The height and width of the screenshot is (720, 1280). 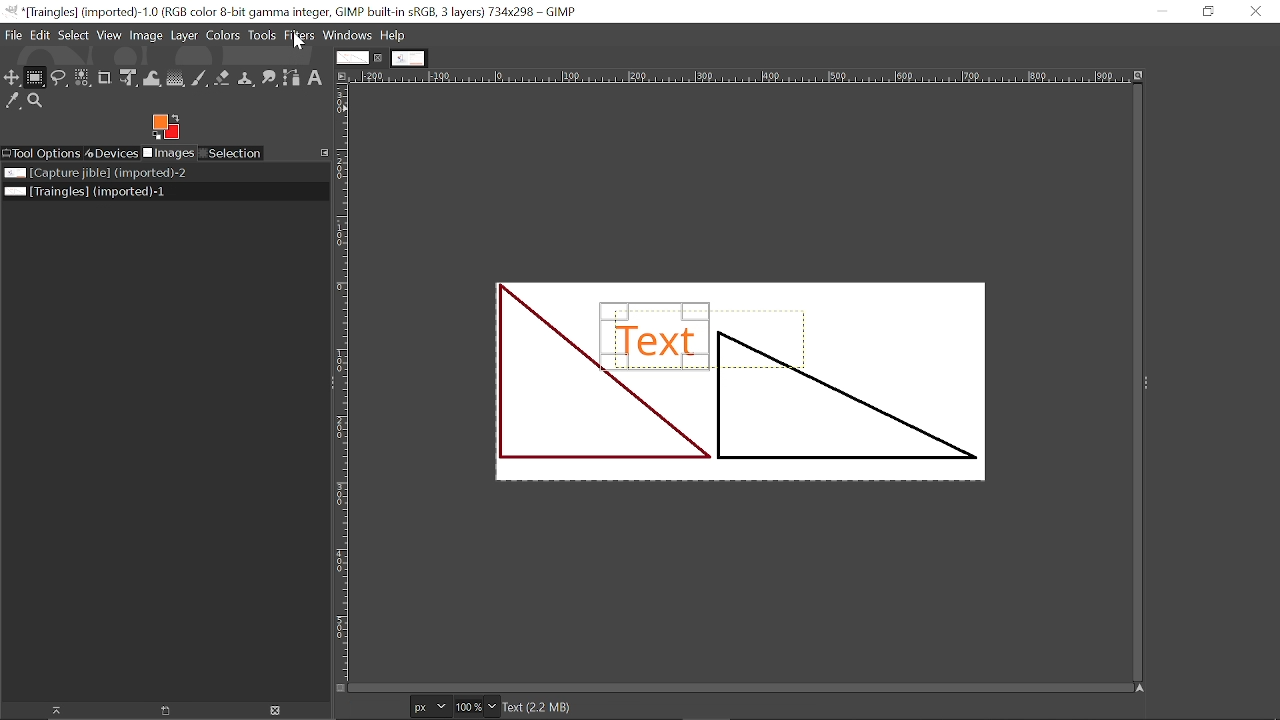 What do you see at coordinates (176, 79) in the screenshot?
I see `Gradient tool` at bounding box center [176, 79].